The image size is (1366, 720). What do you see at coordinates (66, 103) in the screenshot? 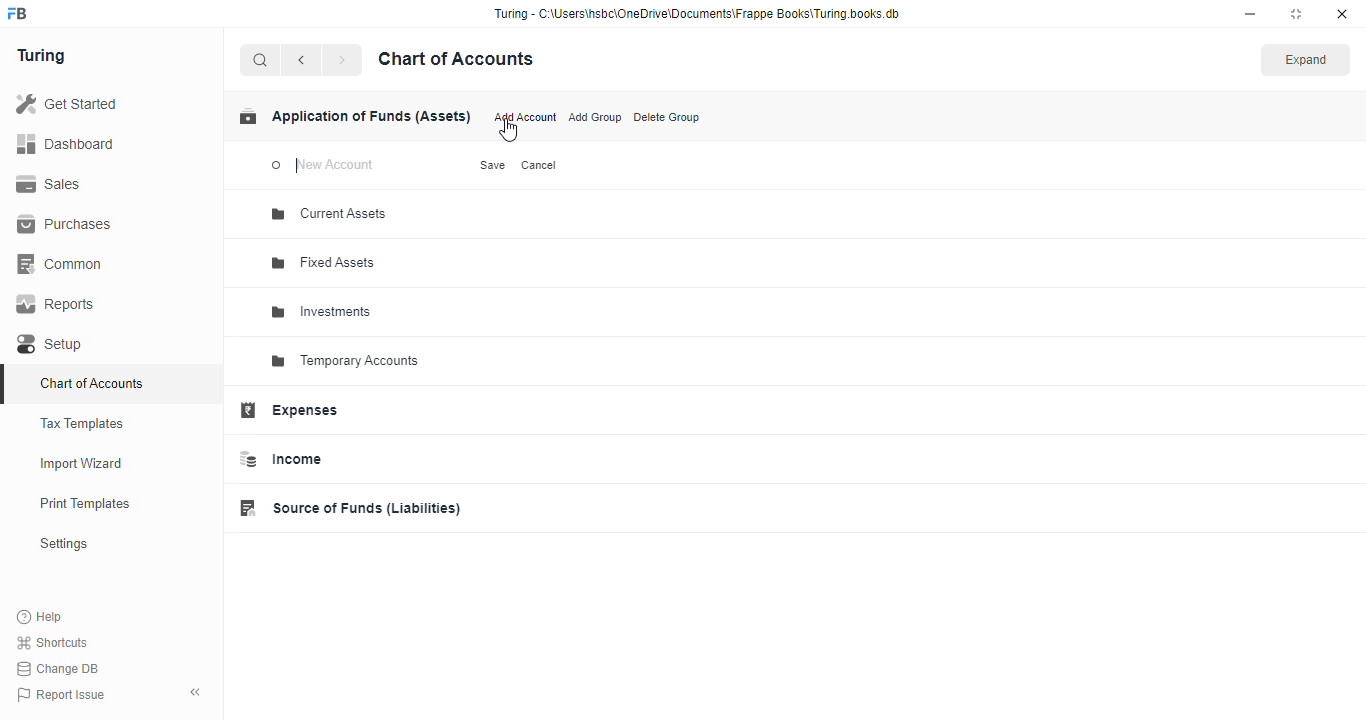
I see `get started` at bounding box center [66, 103].